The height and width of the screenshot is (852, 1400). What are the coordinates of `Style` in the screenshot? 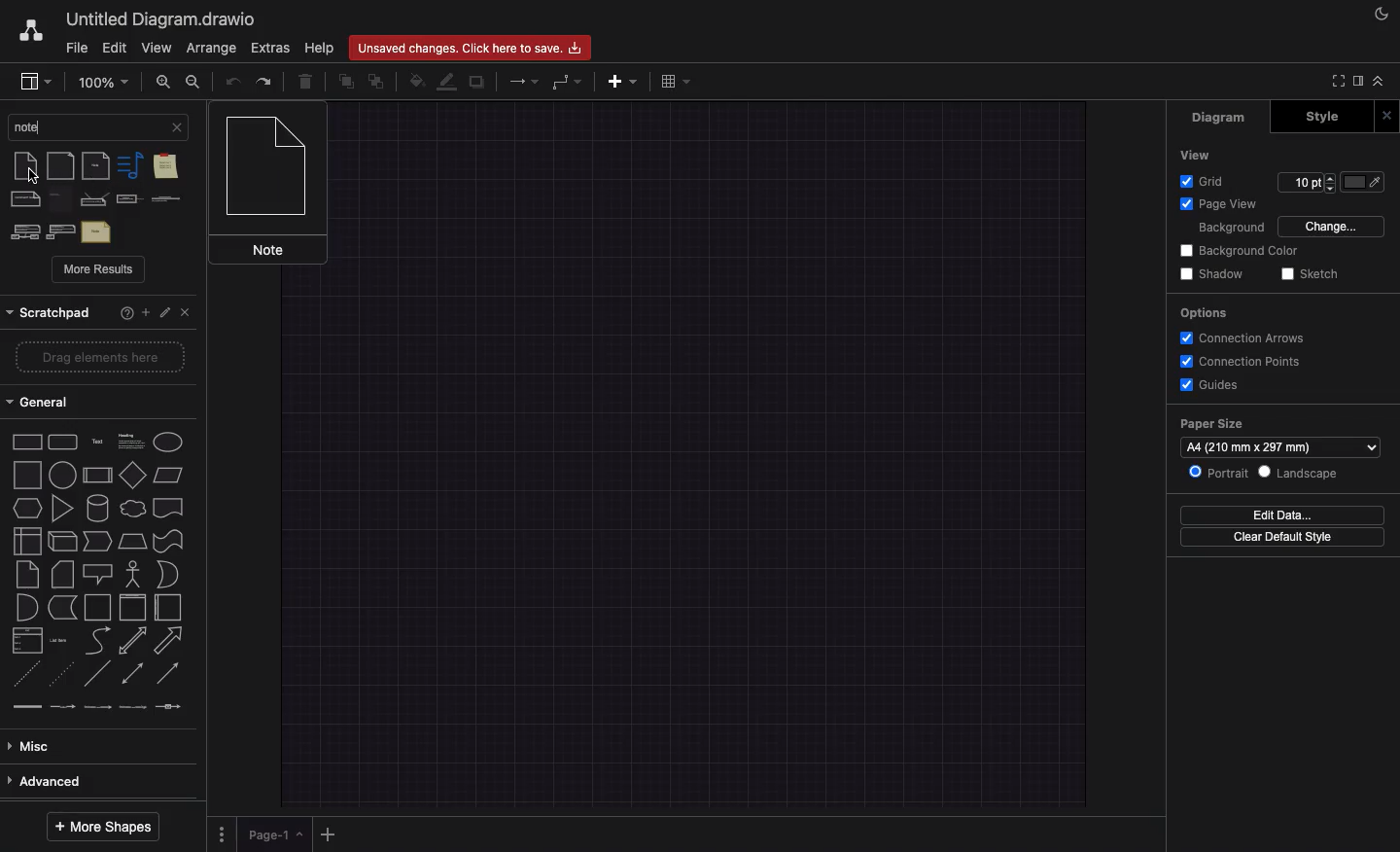 It's located at (1327, 116).